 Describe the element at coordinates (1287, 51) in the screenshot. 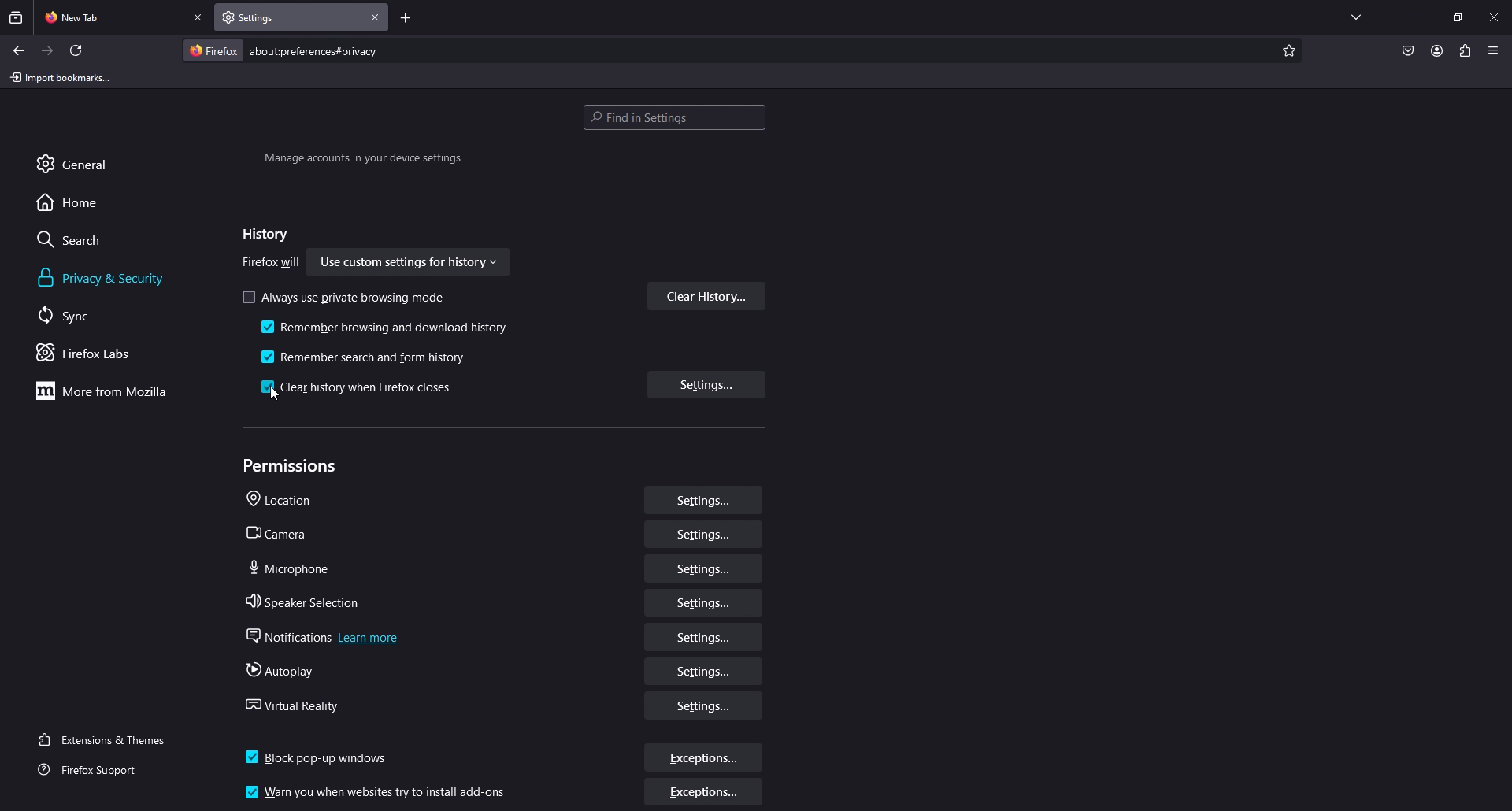

I see `add bookmark` at that location.